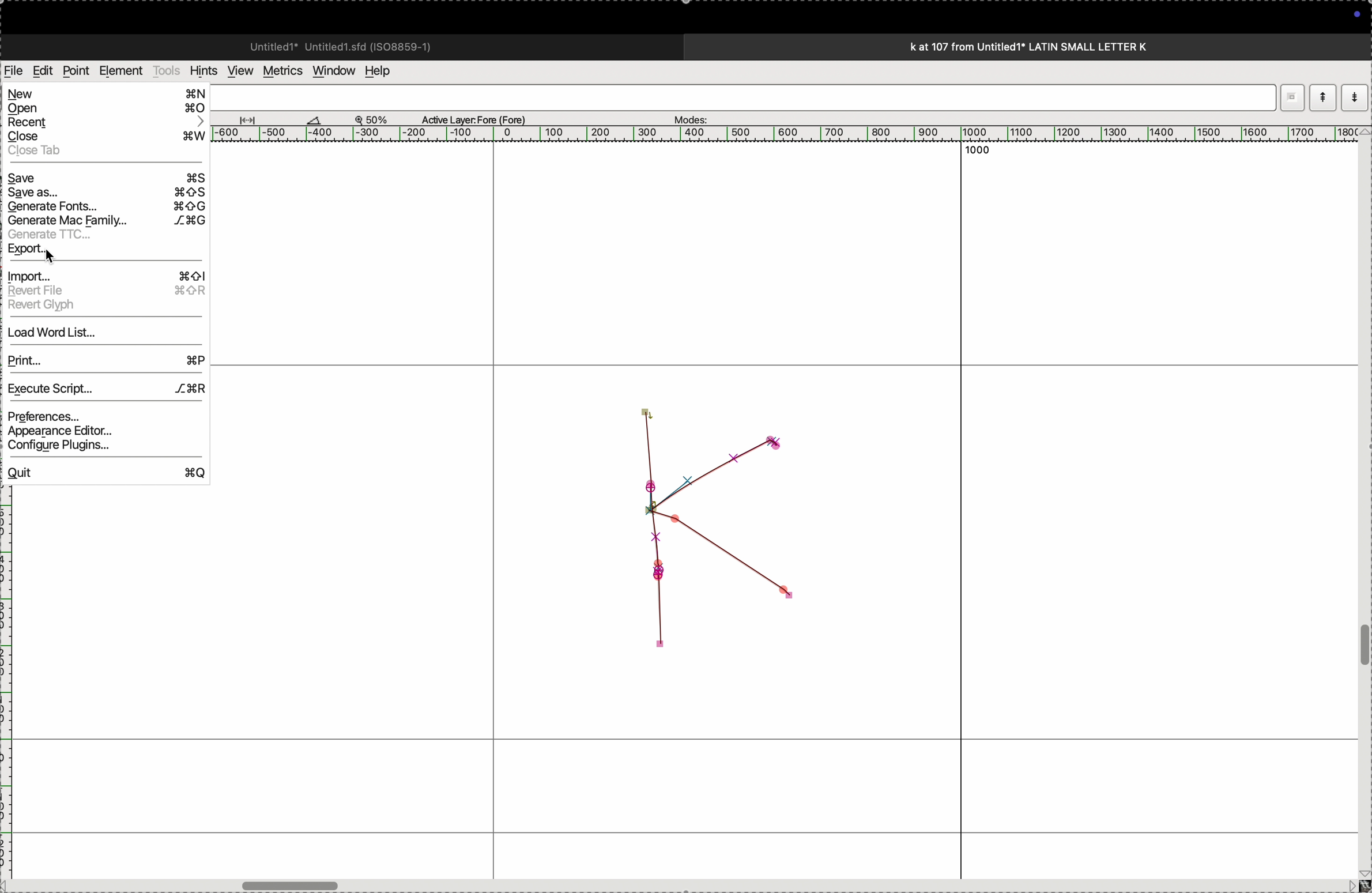 This screenshot has height=893, width=1372. I want to click on recent, so click(107, 124).